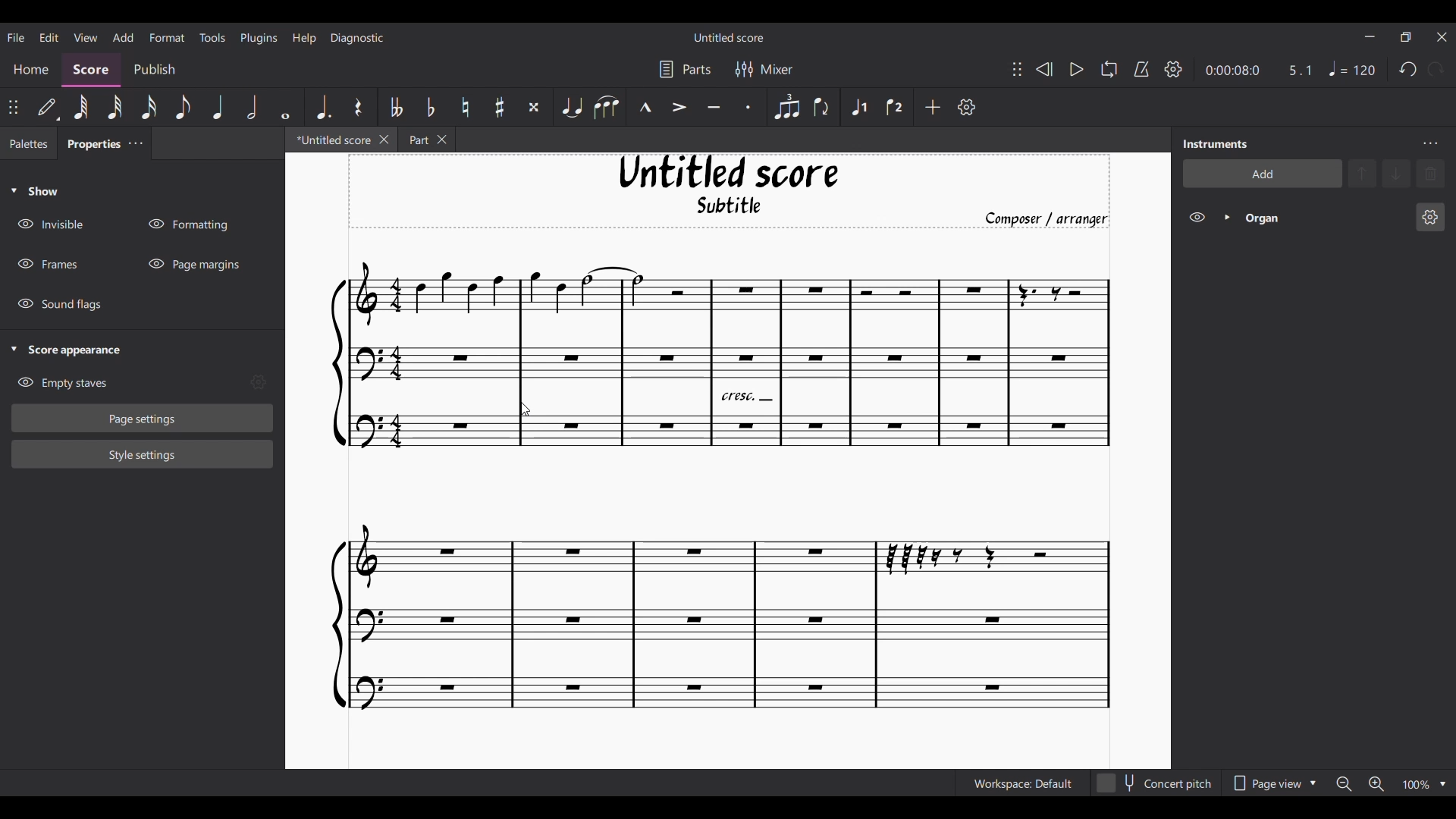  I want to click on Change position of toolbar attached, so click(14, 107).